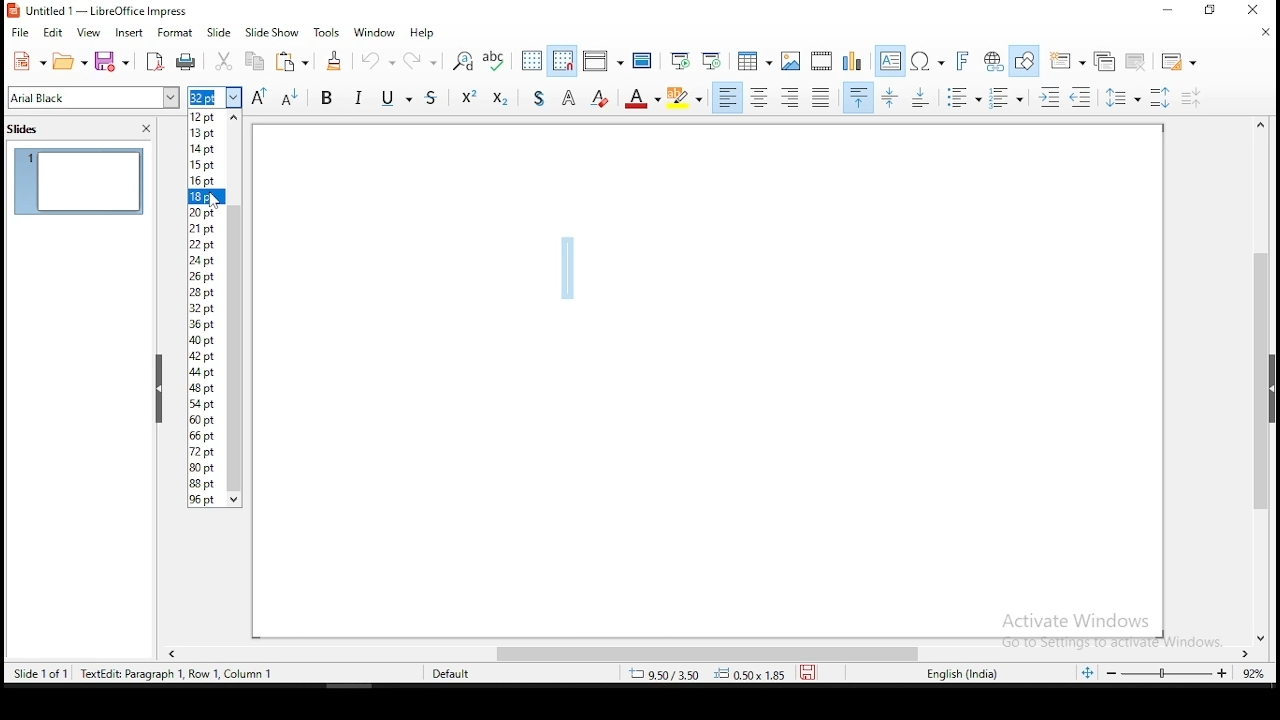  What do you see at coordinates (128, 34) in the screenshot?
I see `insert` at bounding box center [128, 34].